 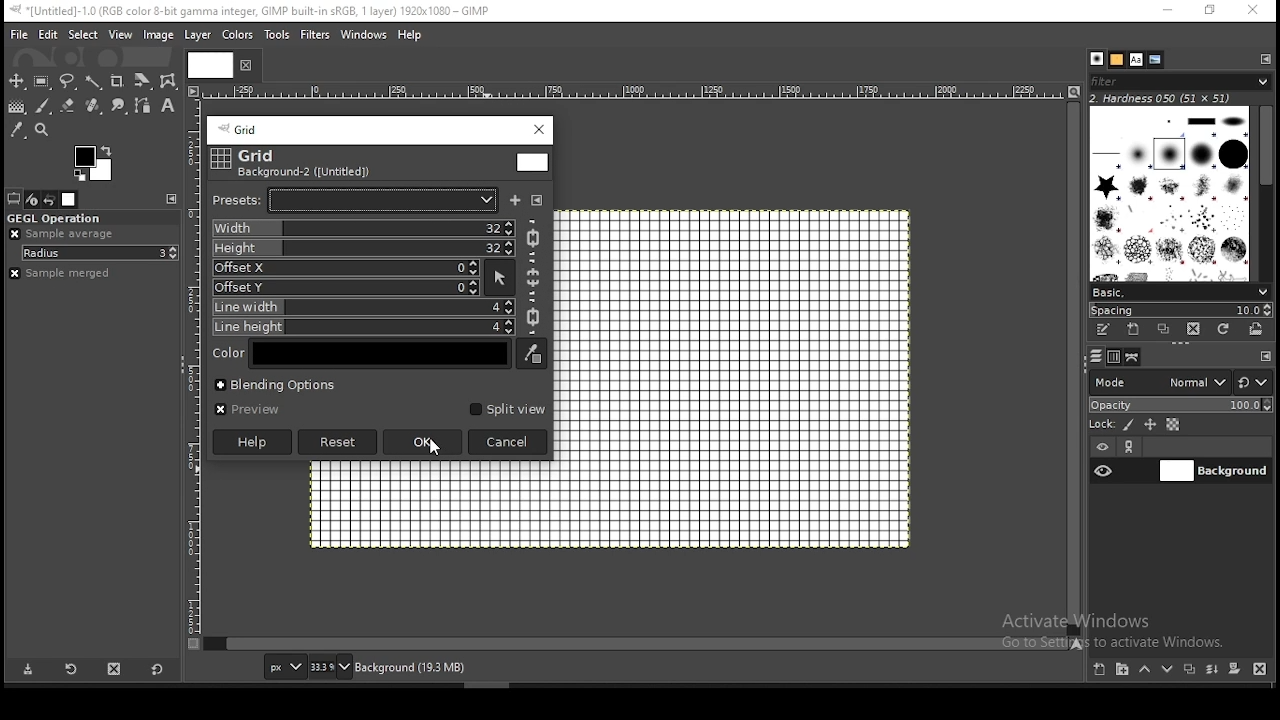 I want to click on sample merged, so click(x=64, y=275).